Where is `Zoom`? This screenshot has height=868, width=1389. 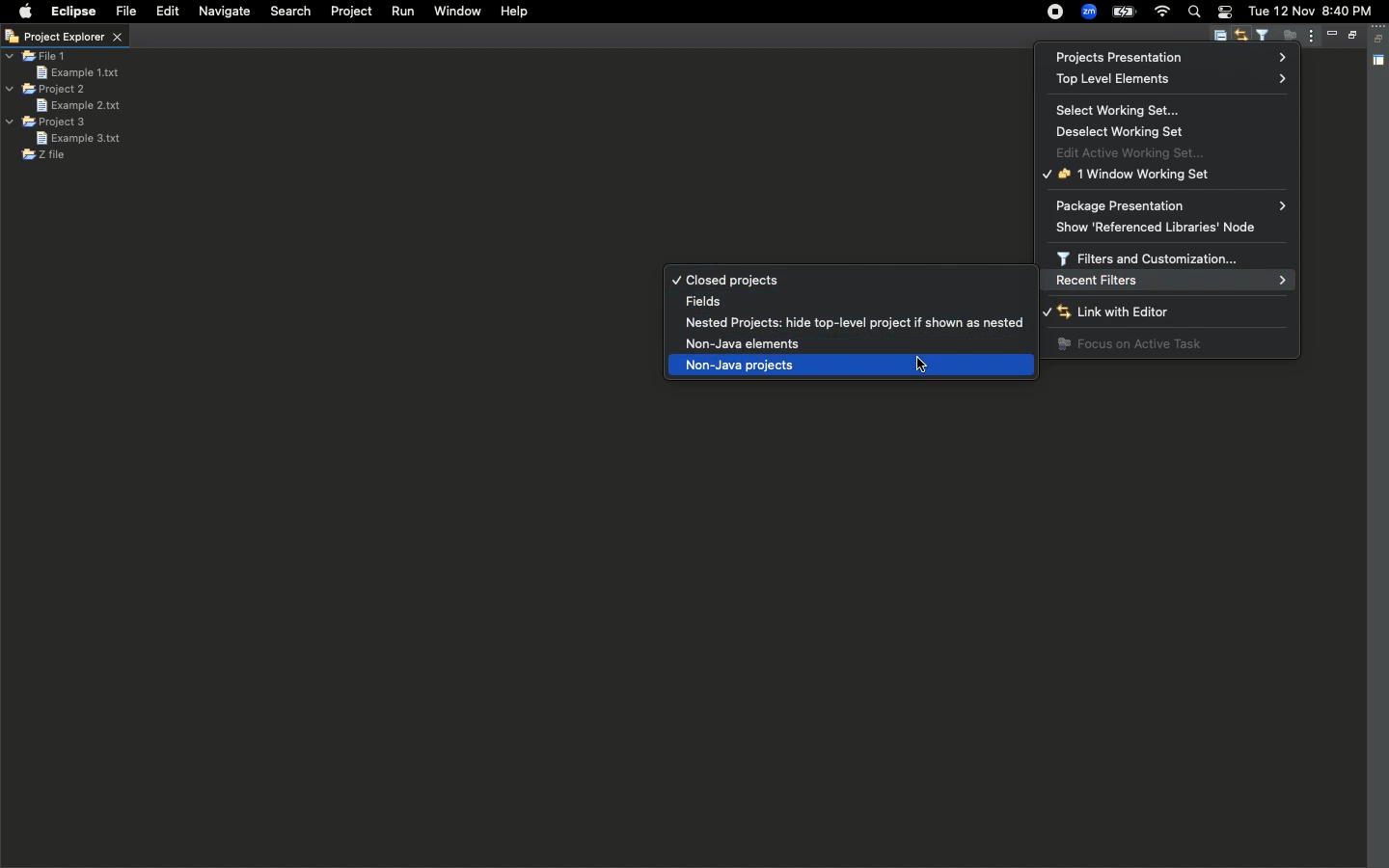 Zoom is located at coordinates (1088, 12).